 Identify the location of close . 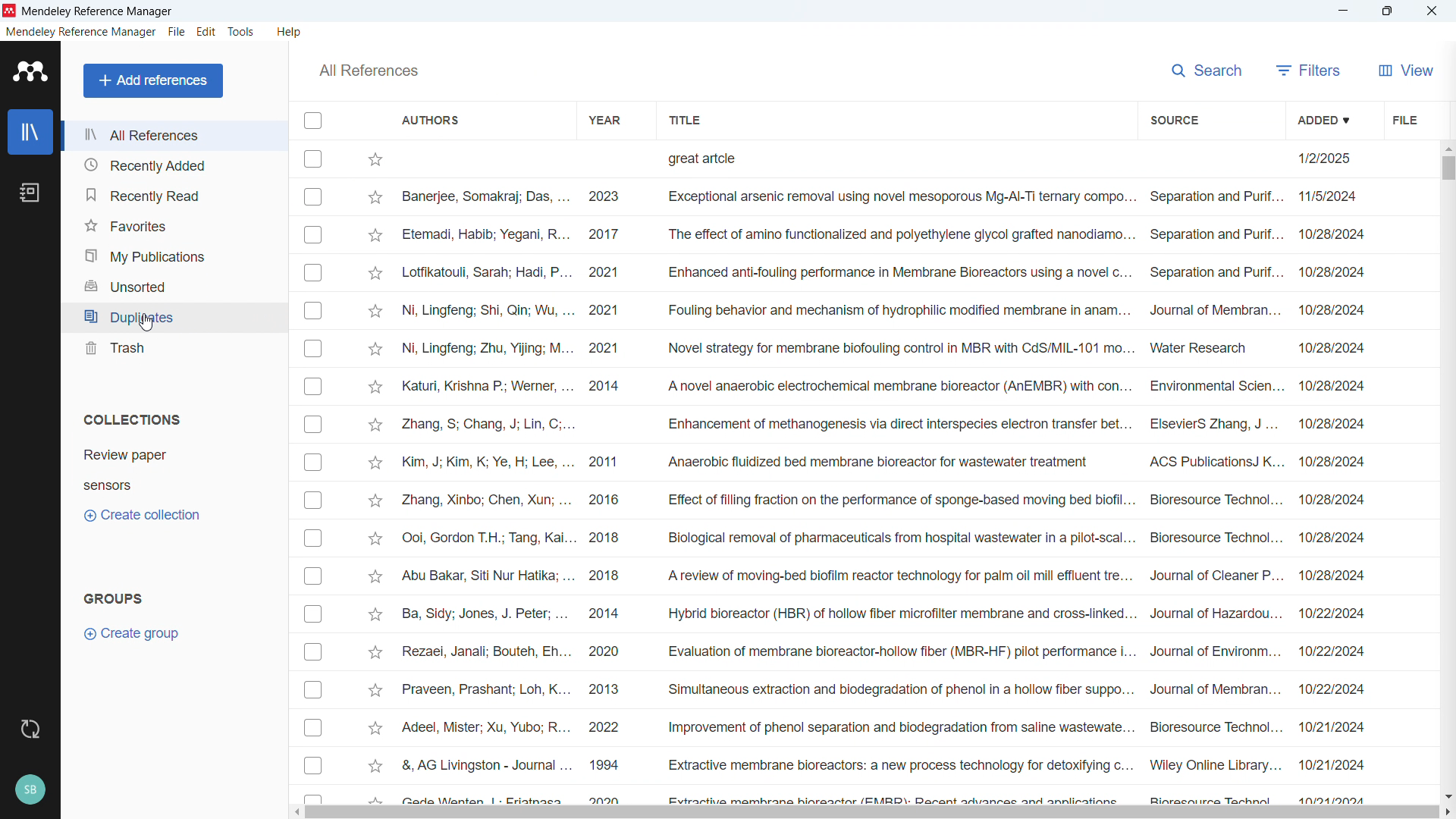
(1429, 11).